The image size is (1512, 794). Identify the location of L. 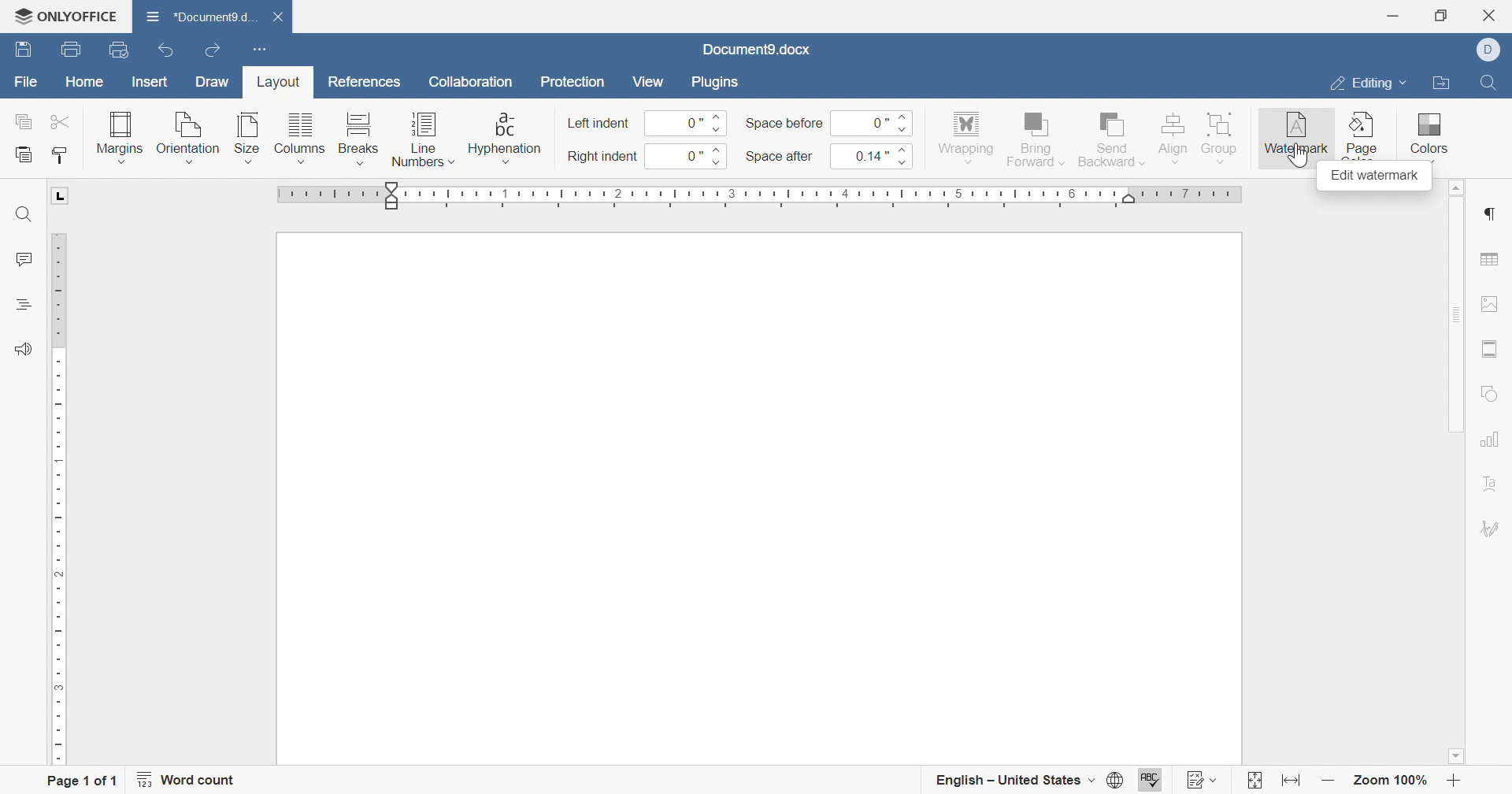
(62, 195).